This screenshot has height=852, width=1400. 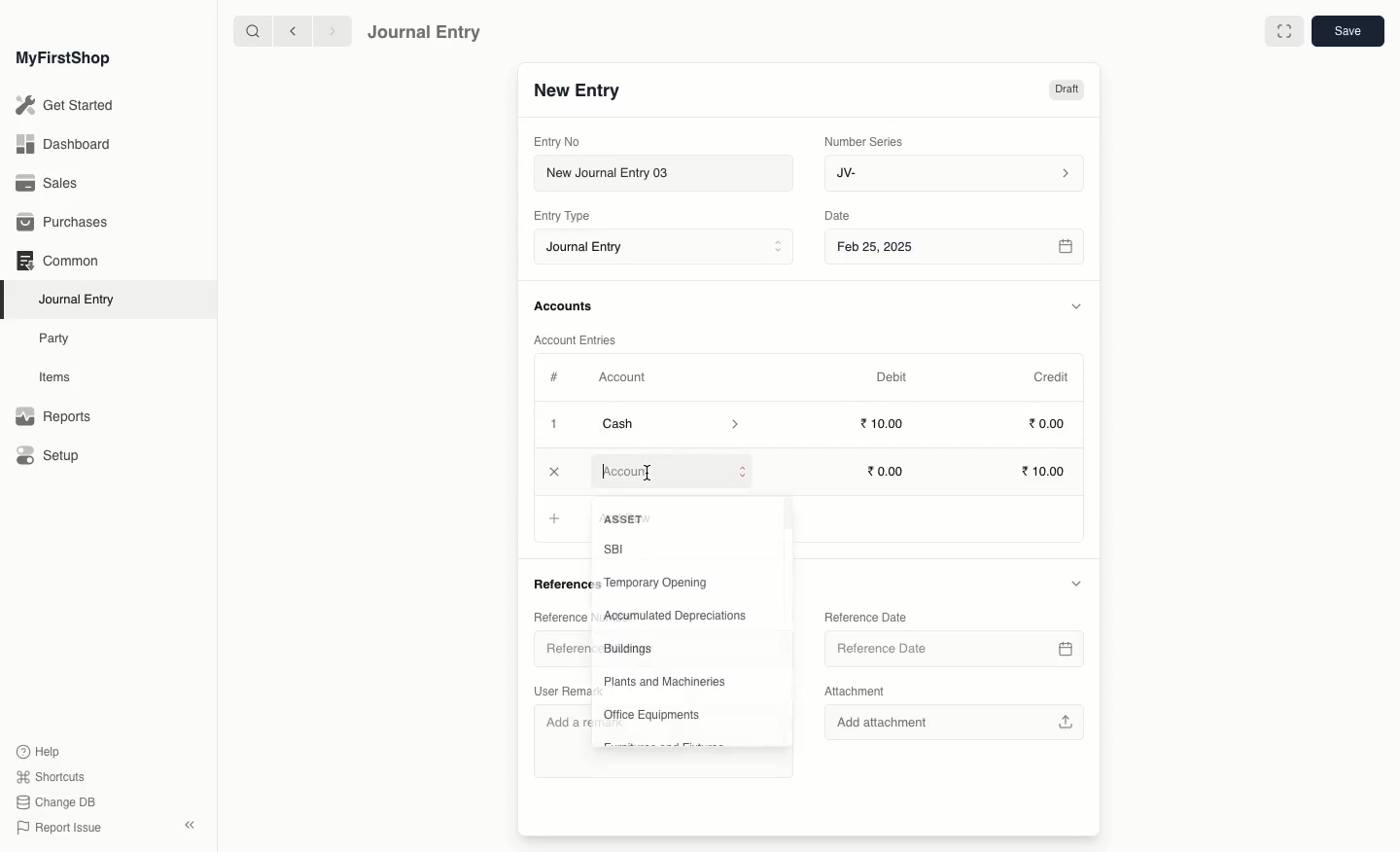 I want to click on Reference Date, so click(x=864, y=616).